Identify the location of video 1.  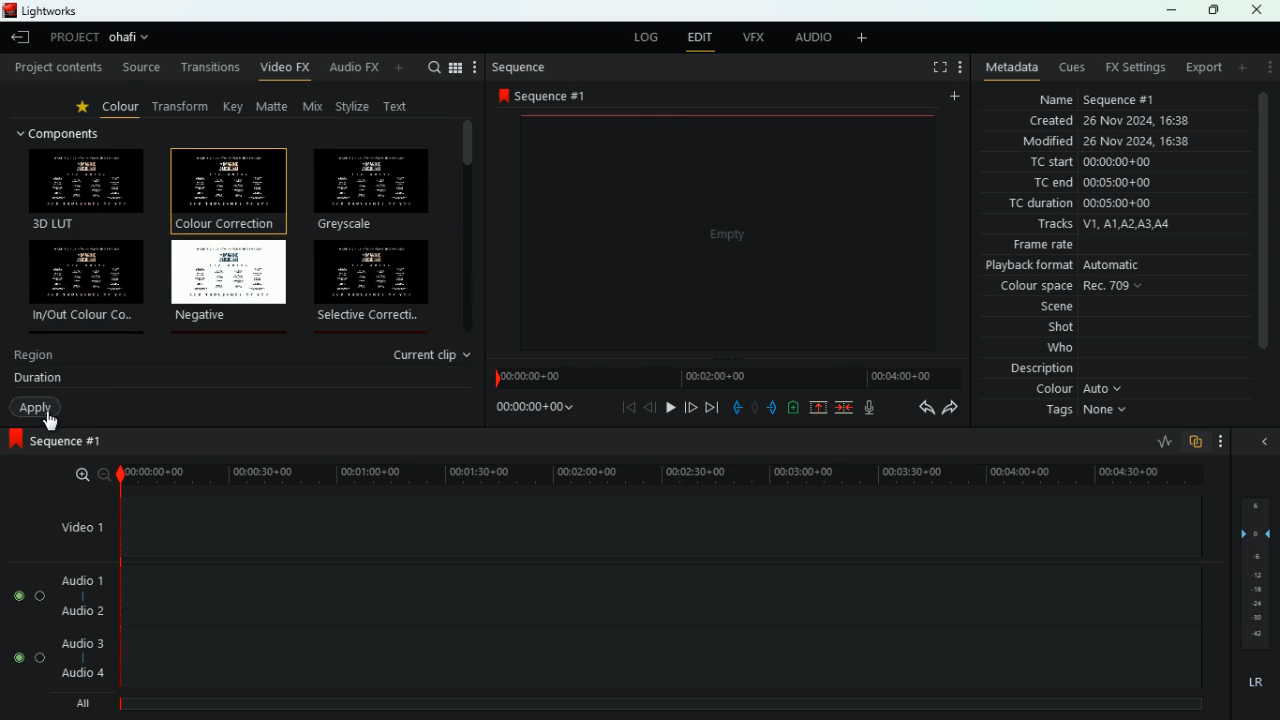
(78, 526).